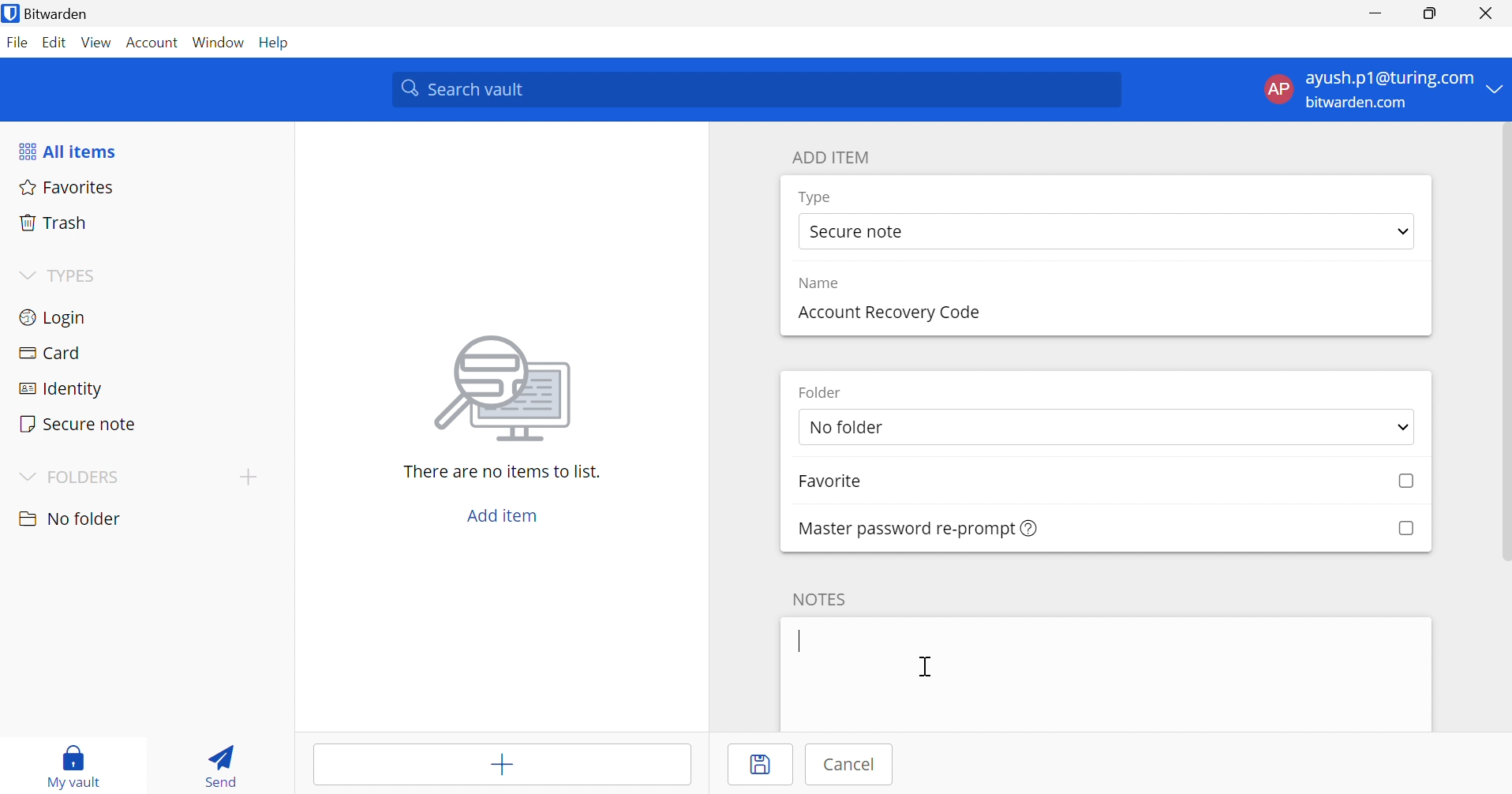 Image resolution: width=1512 pixels, height=794 pixels. I want to click on Login, so click(51, 320).